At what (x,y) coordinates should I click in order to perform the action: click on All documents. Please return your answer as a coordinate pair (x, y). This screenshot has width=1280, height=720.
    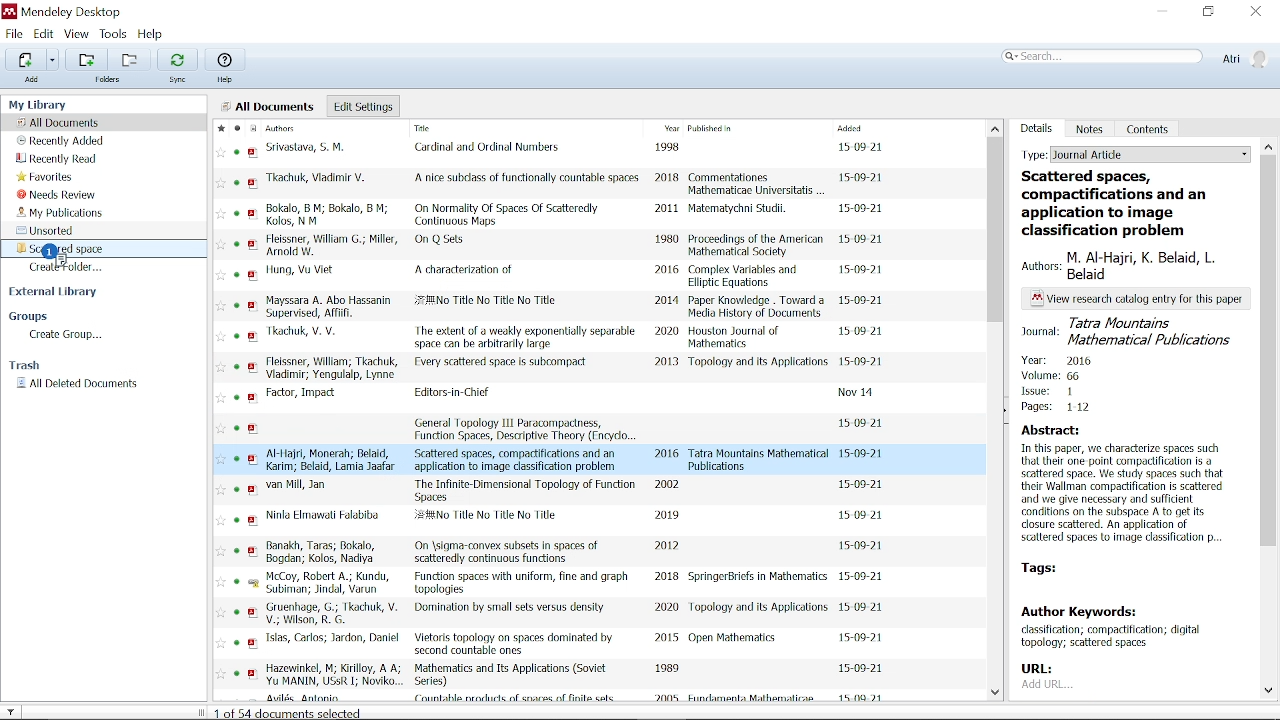
    Looking at the image, I should click on (60, 122).